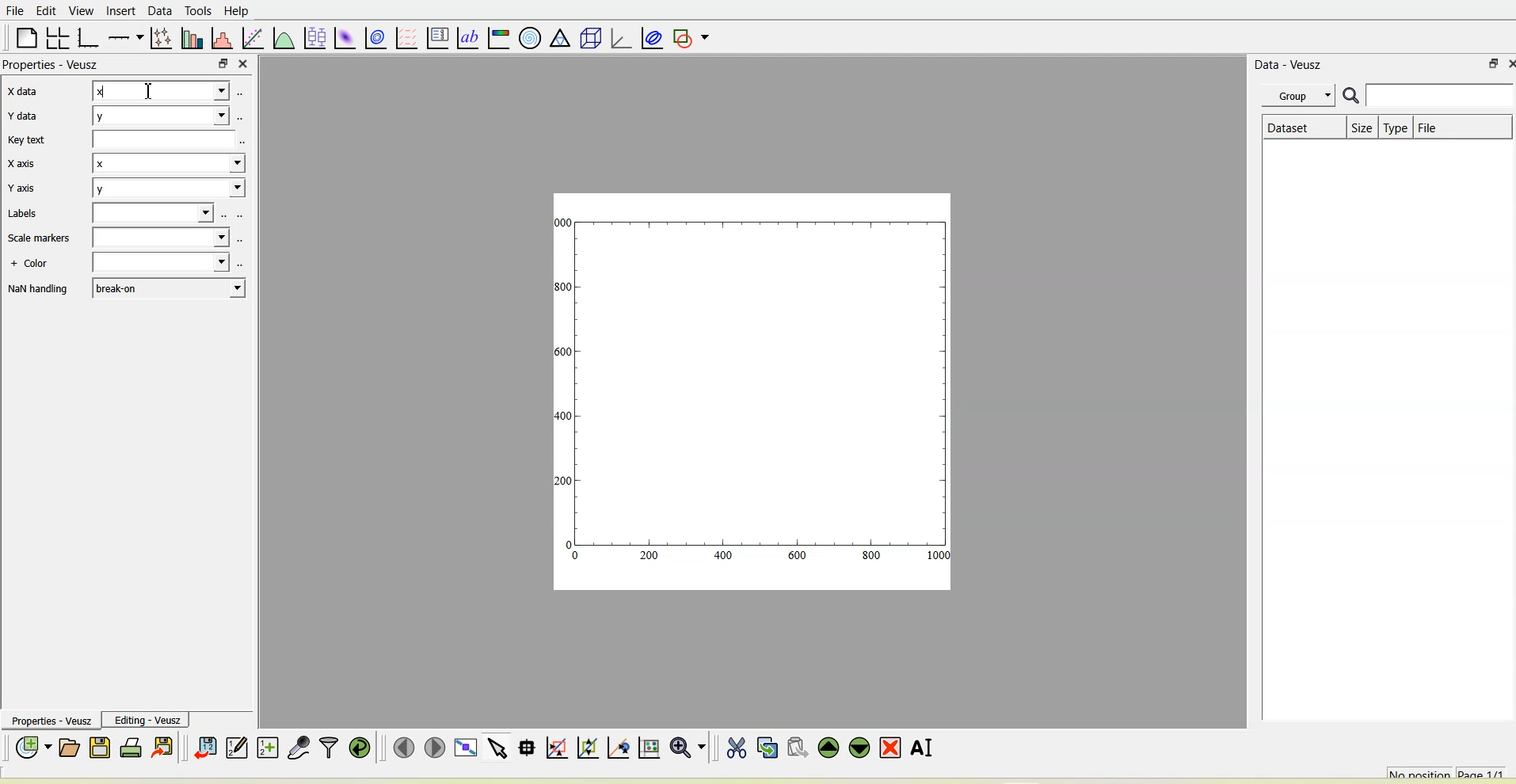 The width and height of the screenshot is (1516, 784). What do you see at coordinates (23, 213) in the screenshot?
I see `Labels` at bounding box center [23, 213].